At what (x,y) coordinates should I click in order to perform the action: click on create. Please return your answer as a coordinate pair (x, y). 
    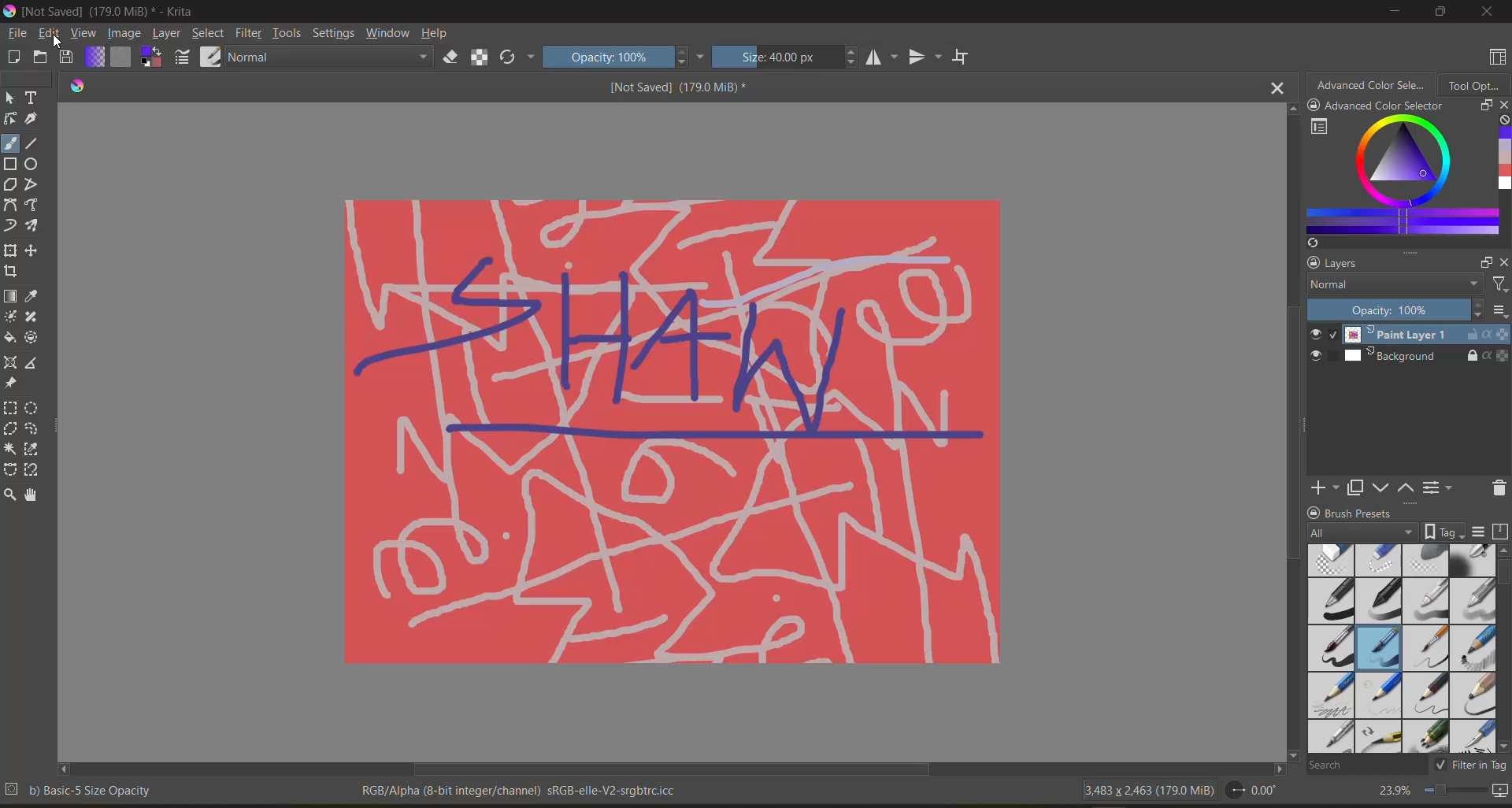
    Looking at the image, I should click on (13, 56).